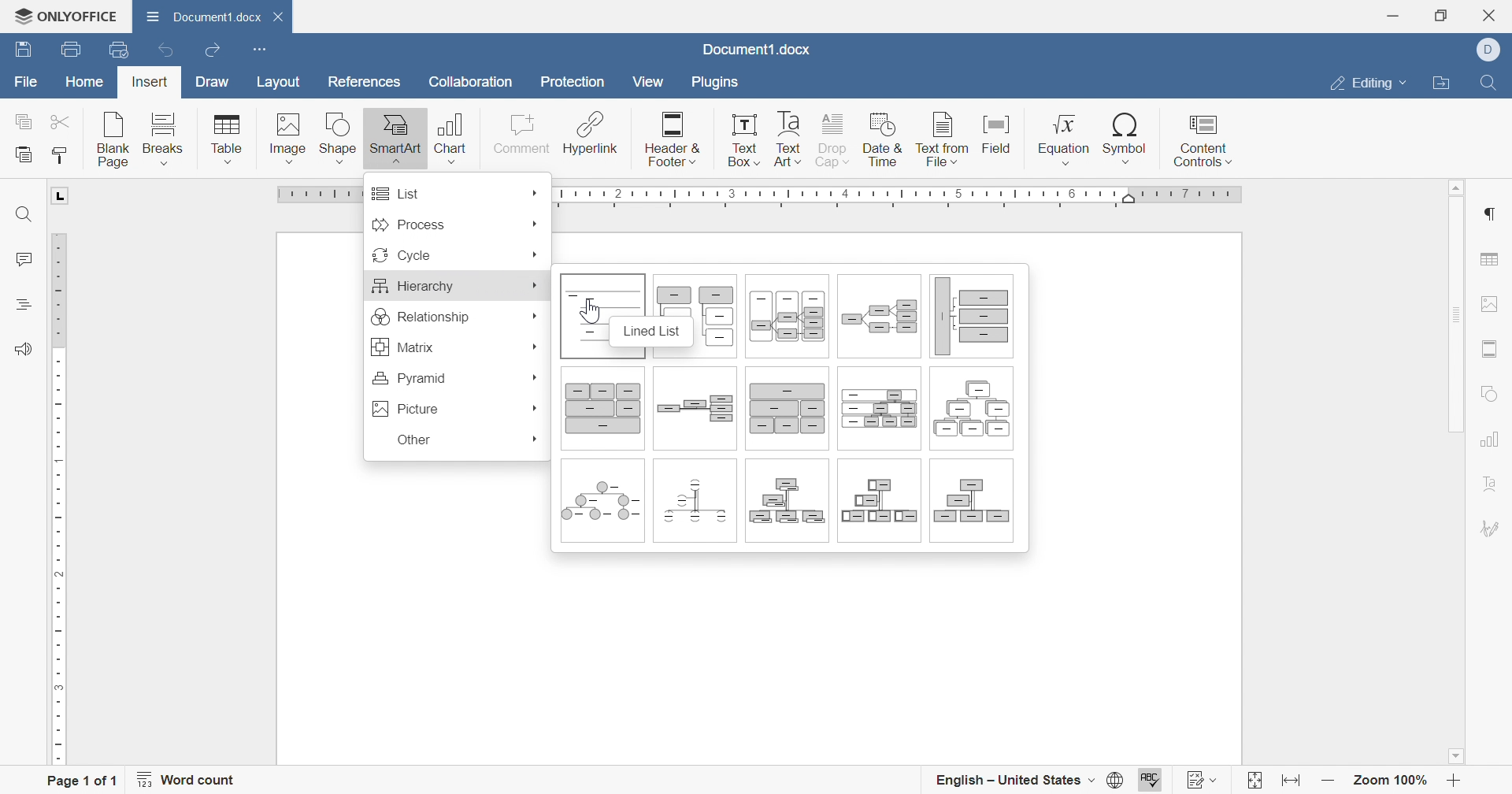  What do you see at coordinates (834, 141) in the screenshot?
I see `Drop cap` at bounding box center [834, 141].